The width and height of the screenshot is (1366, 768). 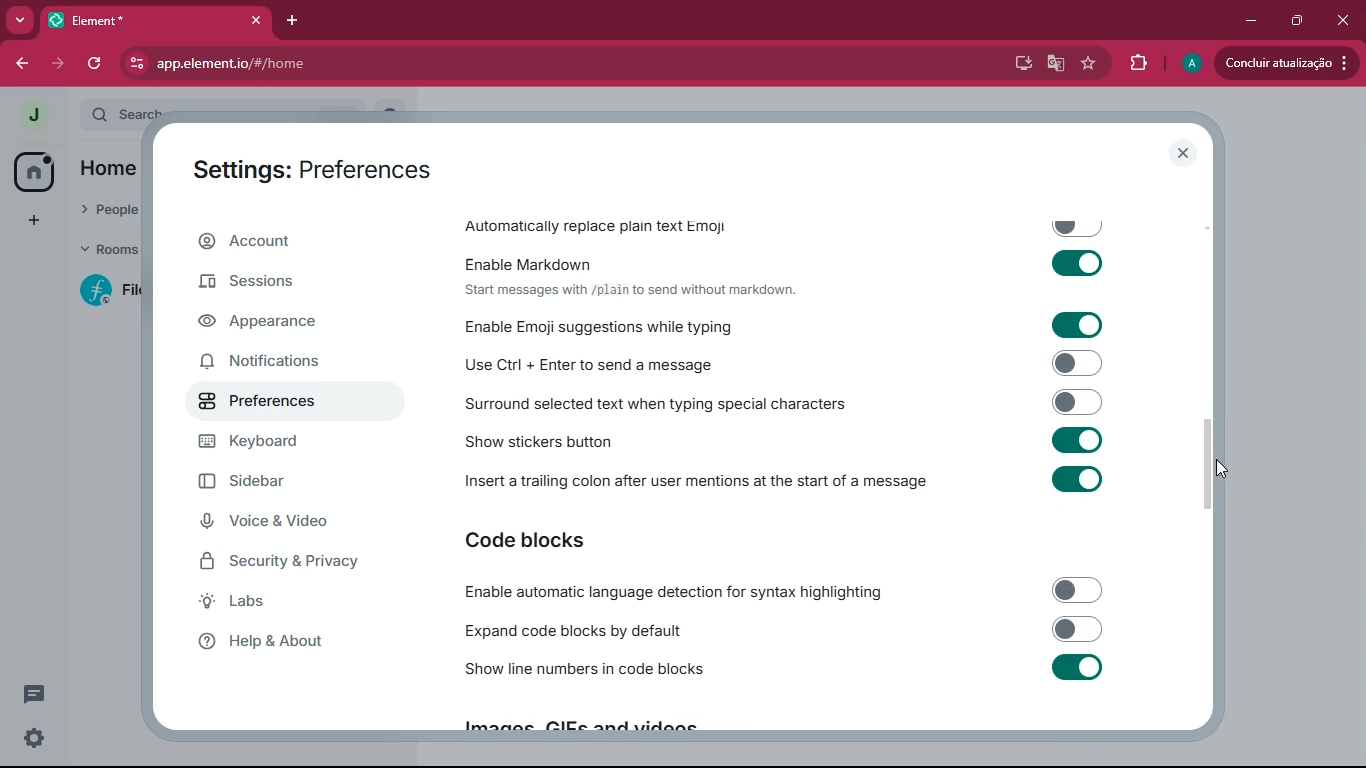 I want to click on sidebar, so click(x=278, y=481).